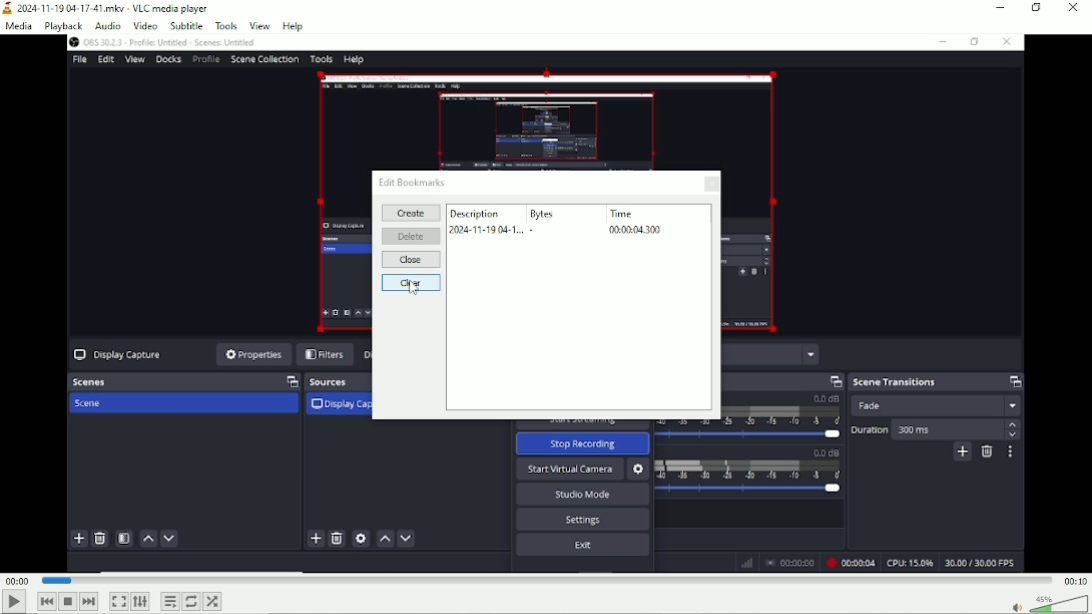 The image size is (1092, 614). I want to click on Close, so click(410, 260).